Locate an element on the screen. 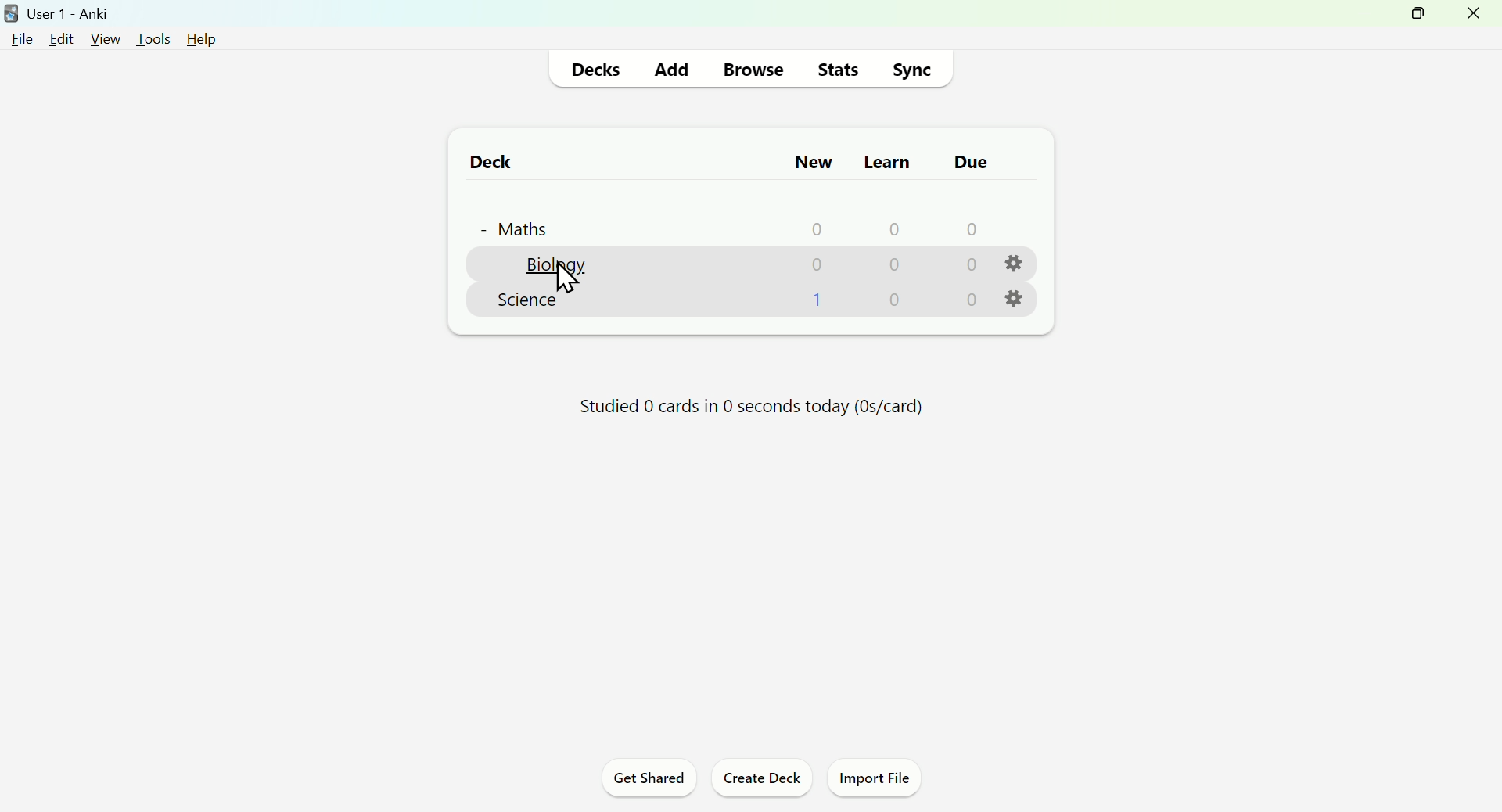  Sync is located at coordinates (911, 70).